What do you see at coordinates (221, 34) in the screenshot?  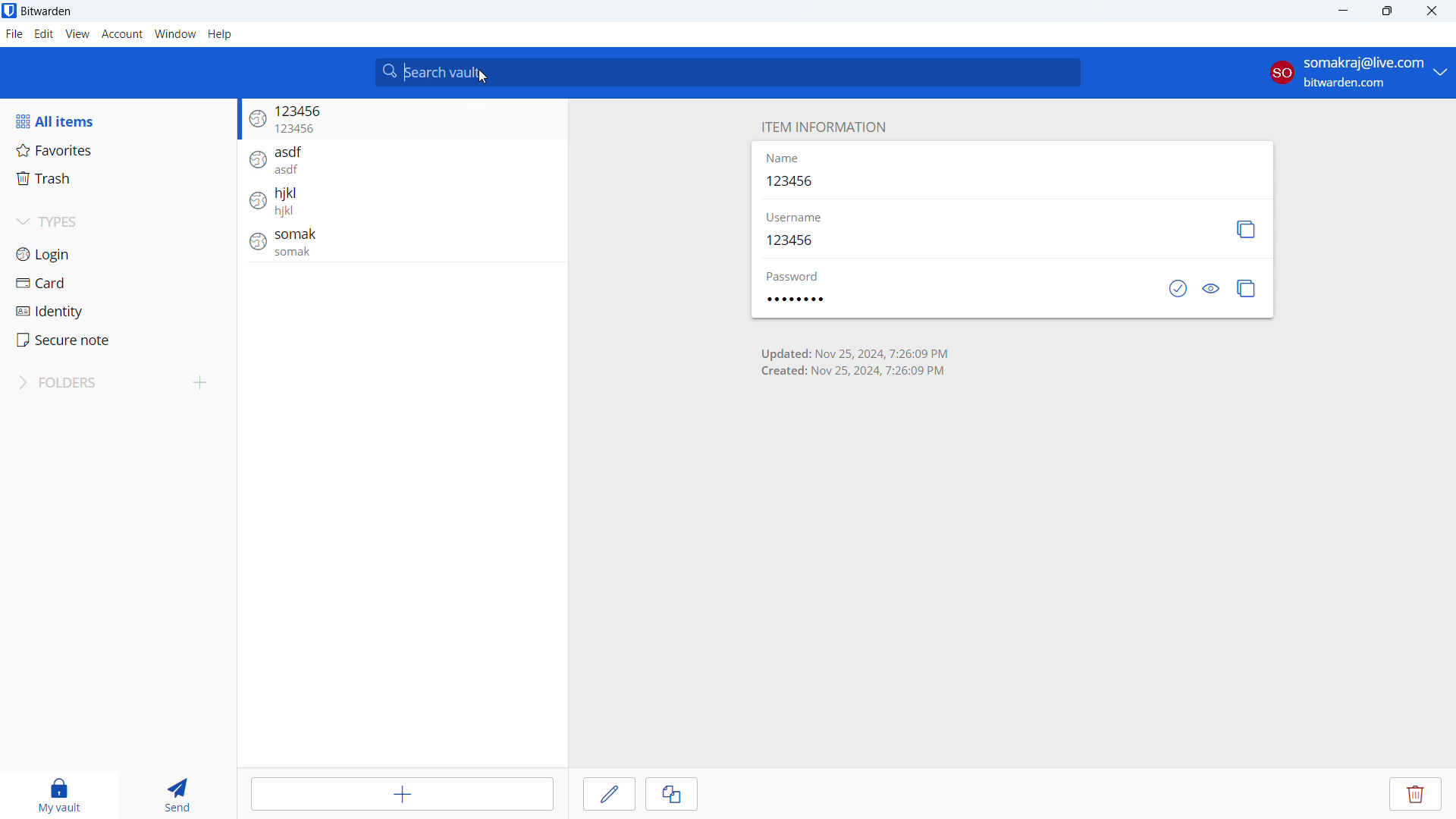 I see `help` at bounding box center [221, 34].